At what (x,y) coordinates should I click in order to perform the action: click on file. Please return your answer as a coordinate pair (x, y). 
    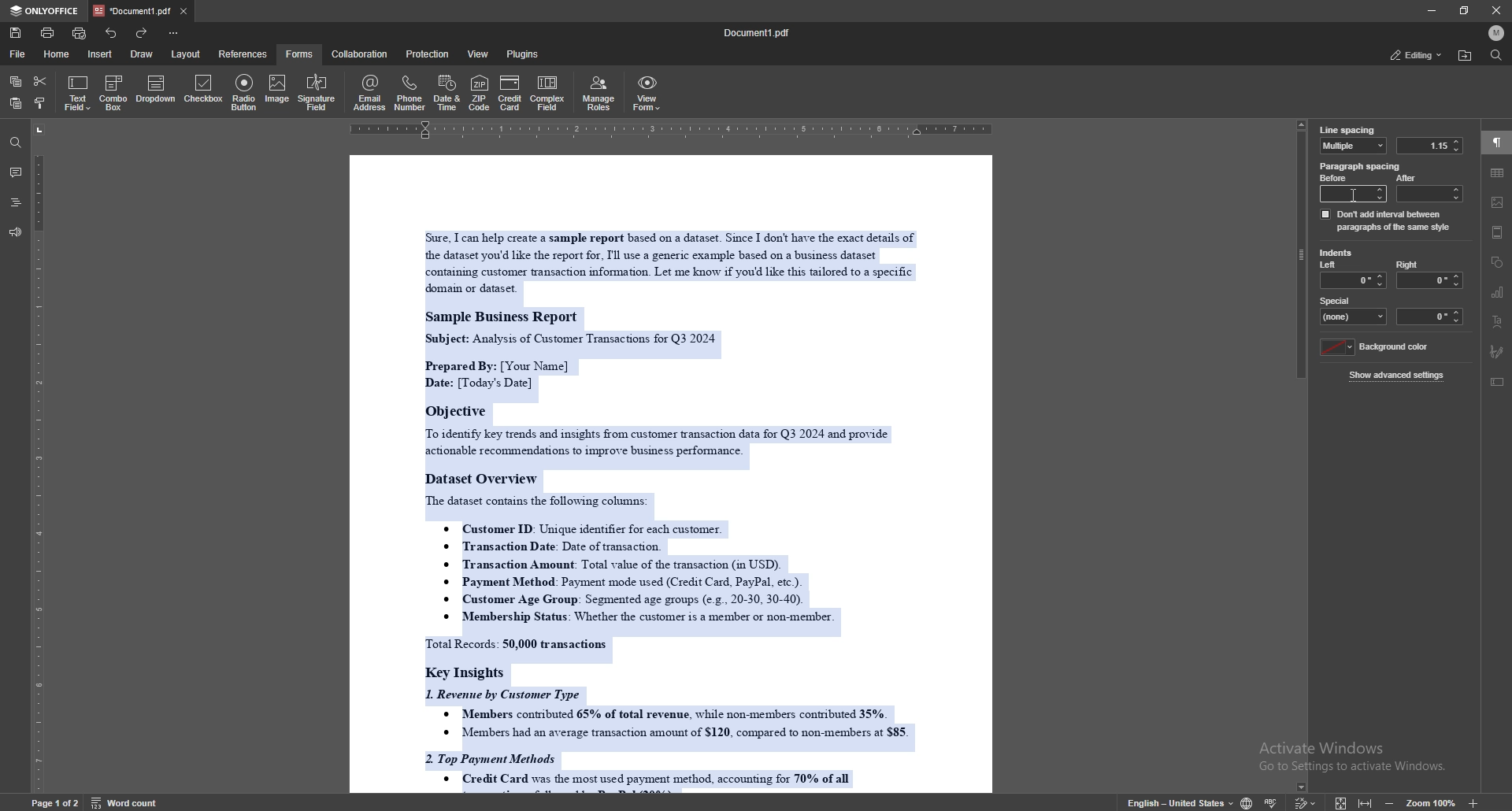
    Looking at the image, I should click on (18, 54).